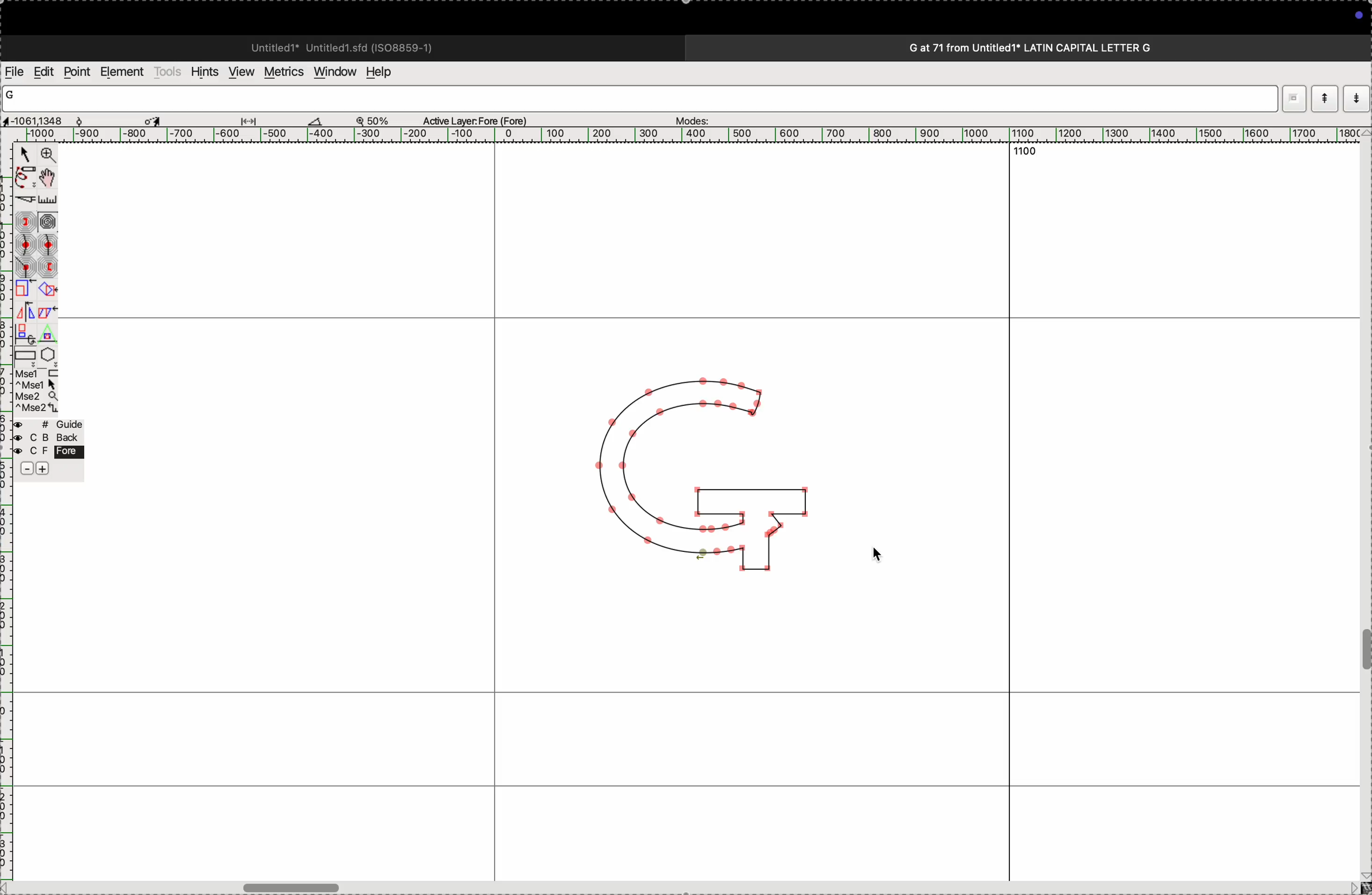 The height and width of the screenshot is (895, 1372). I want to click on 1100, so click(1028, 154).